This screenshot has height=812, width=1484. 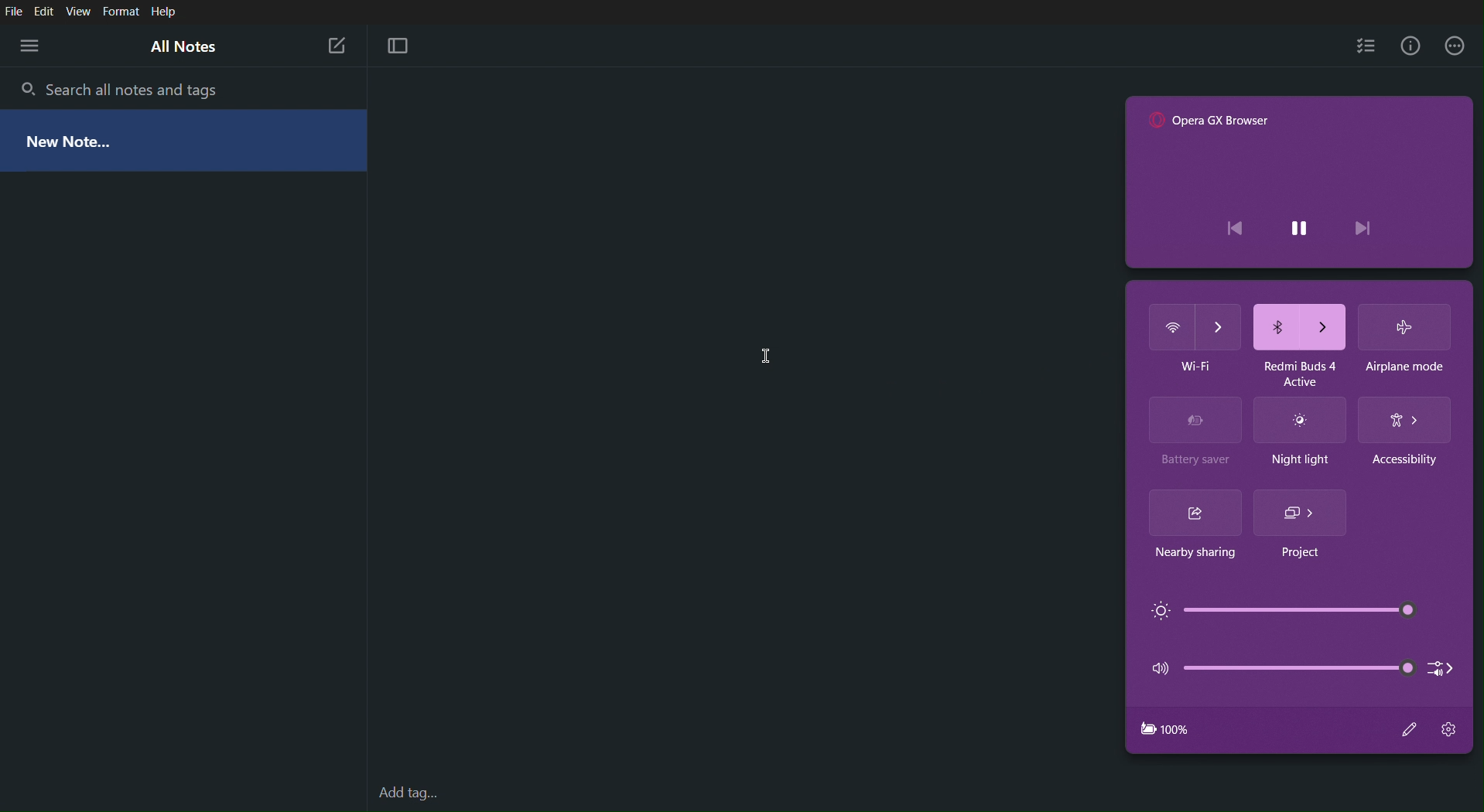 I want to click on  Night light, so click(x=1301, y=461).